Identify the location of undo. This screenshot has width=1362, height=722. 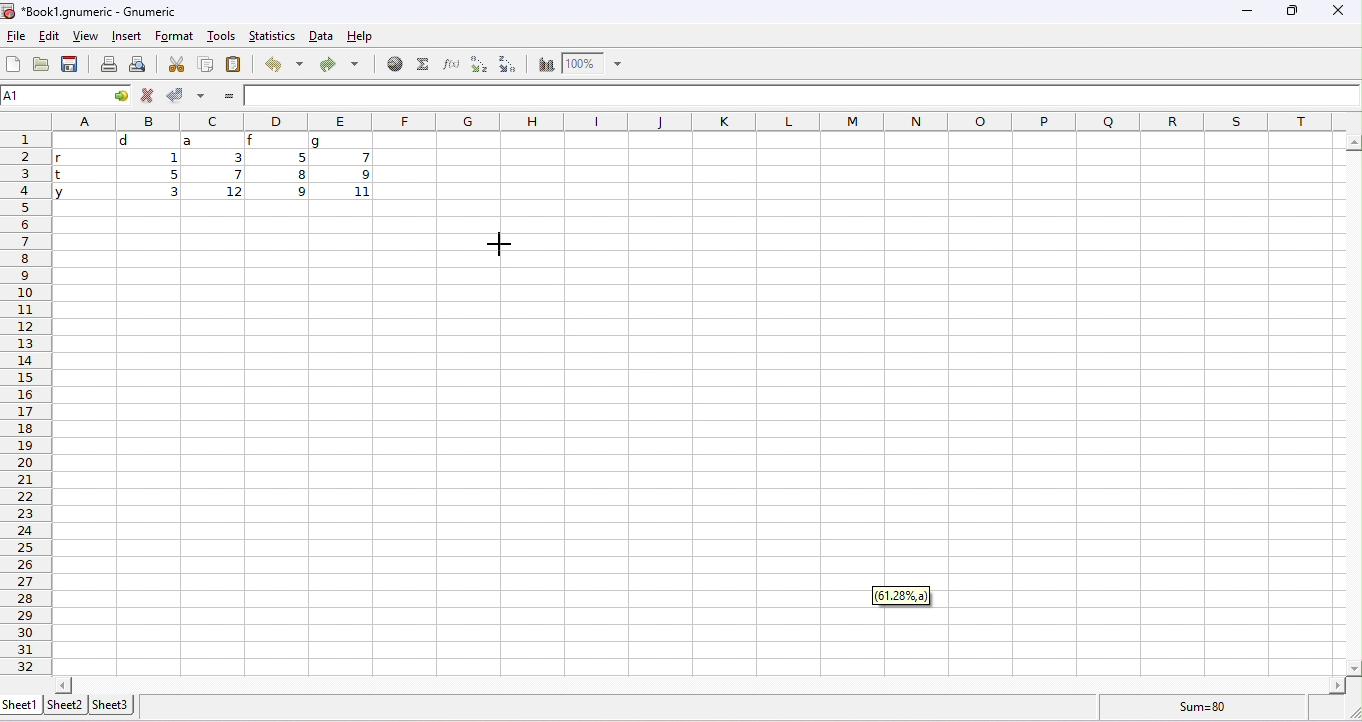
(282, 63).